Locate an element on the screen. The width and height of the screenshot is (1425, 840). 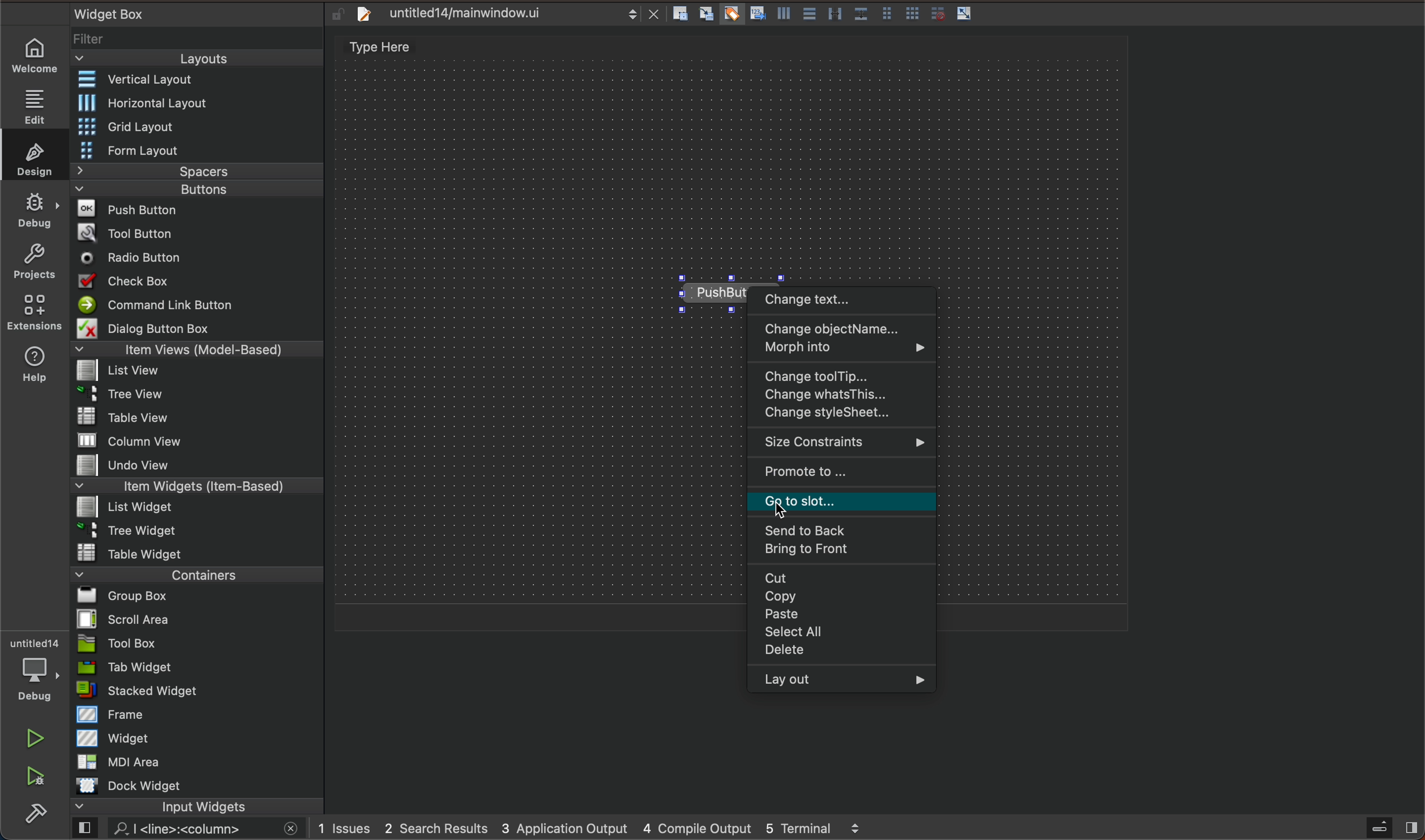
change text is located at coordinates (843, 300).